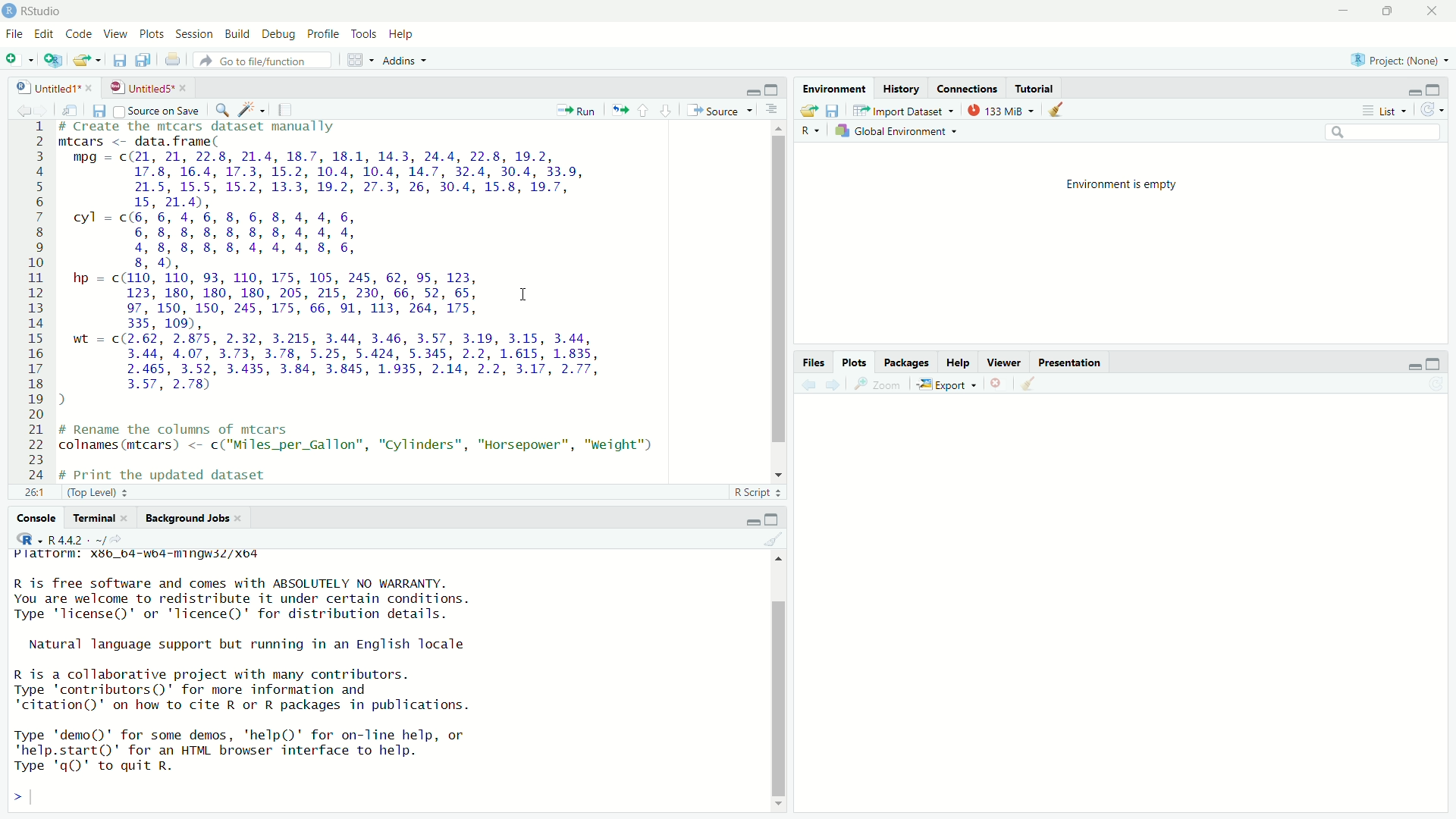  What do you see at coordinates (249, 107) in the screenshot?
I see `spark` at bounding box center [249, 107].